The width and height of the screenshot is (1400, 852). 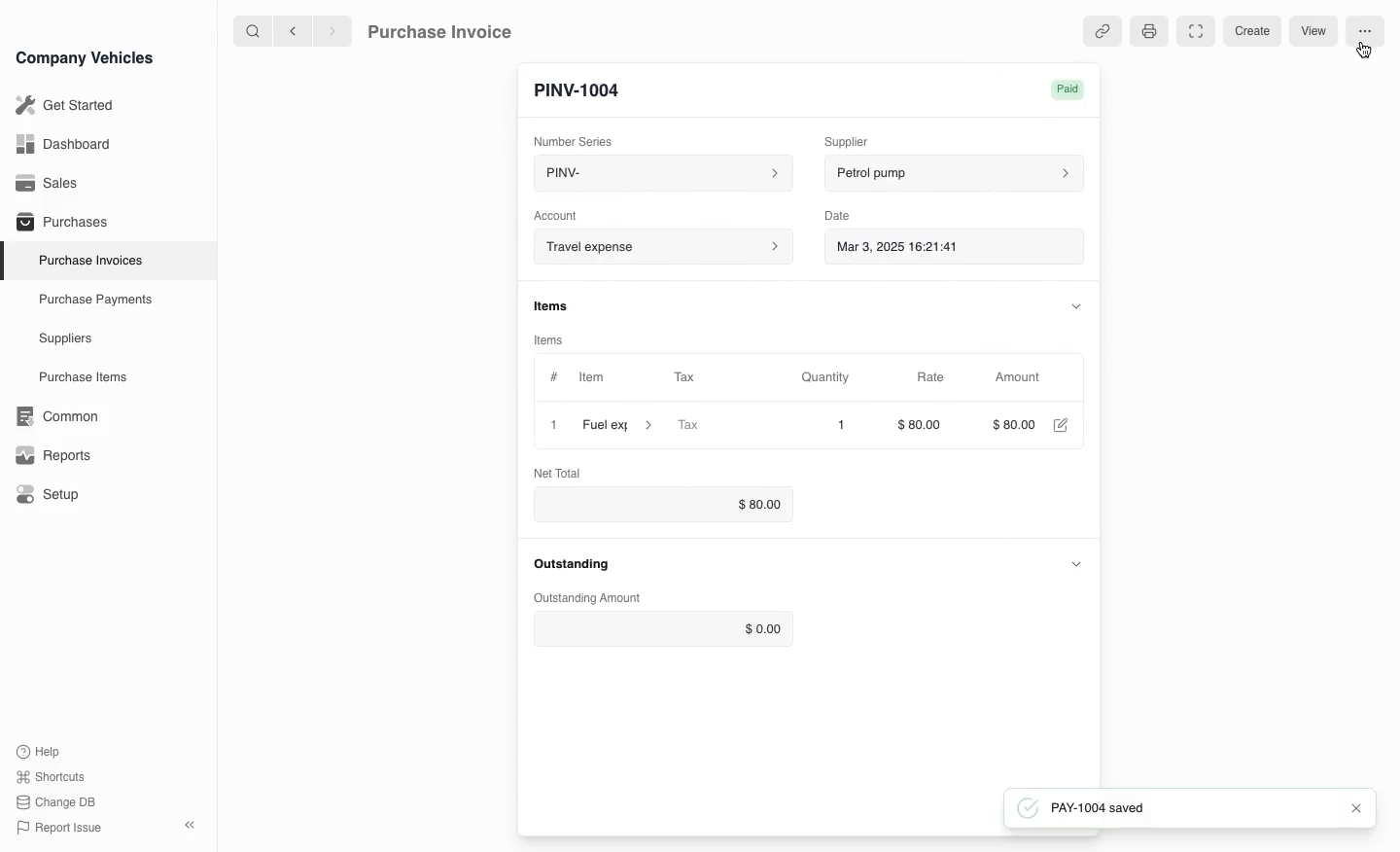 What do you see at coordinates (85, 57) in the screenshot?
I see `Company Vehicles` at bounding box center [85, 57].